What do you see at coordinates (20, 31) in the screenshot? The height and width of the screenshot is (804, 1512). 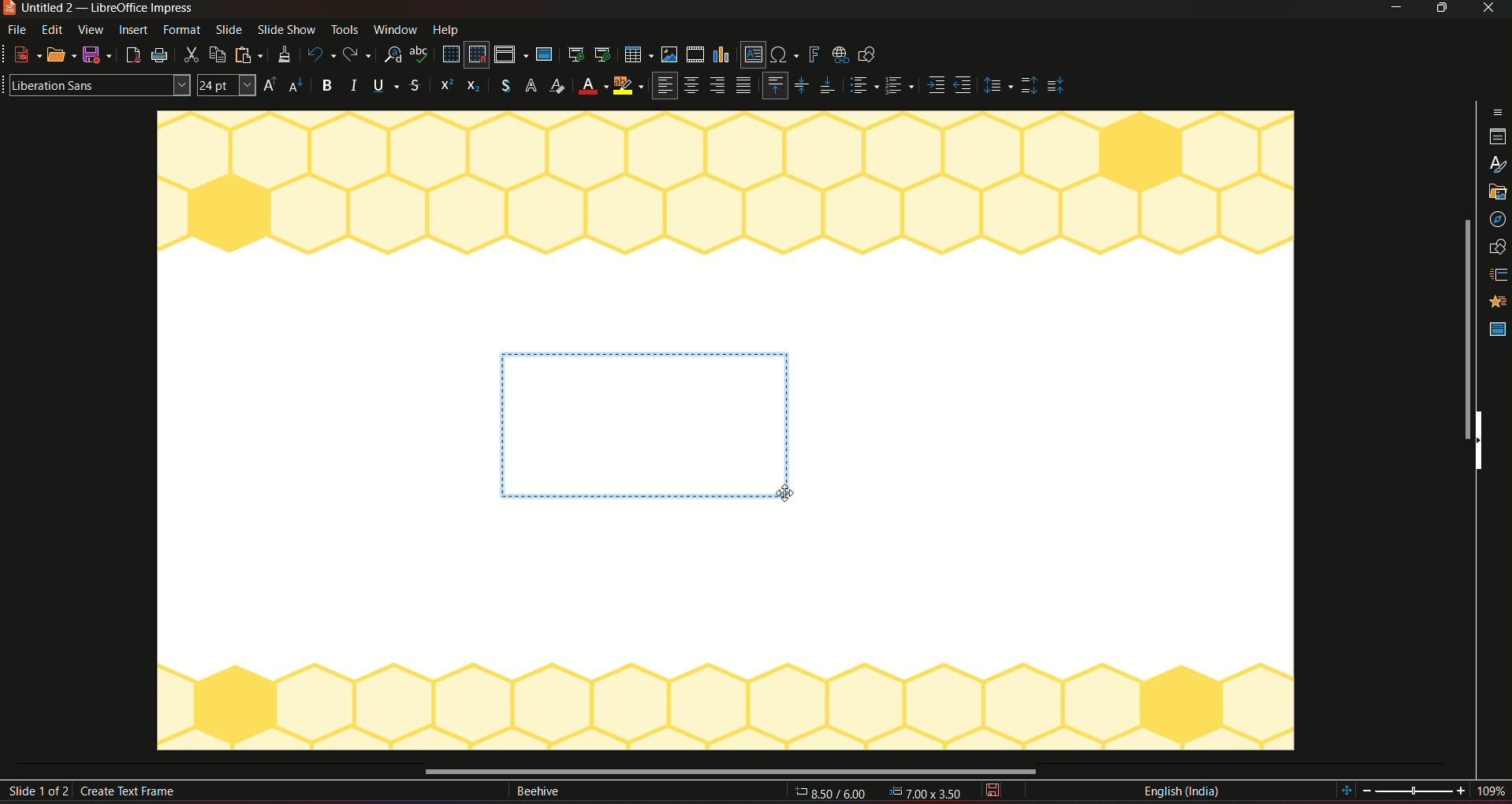 I see `file` at bounding box center [20, 31].